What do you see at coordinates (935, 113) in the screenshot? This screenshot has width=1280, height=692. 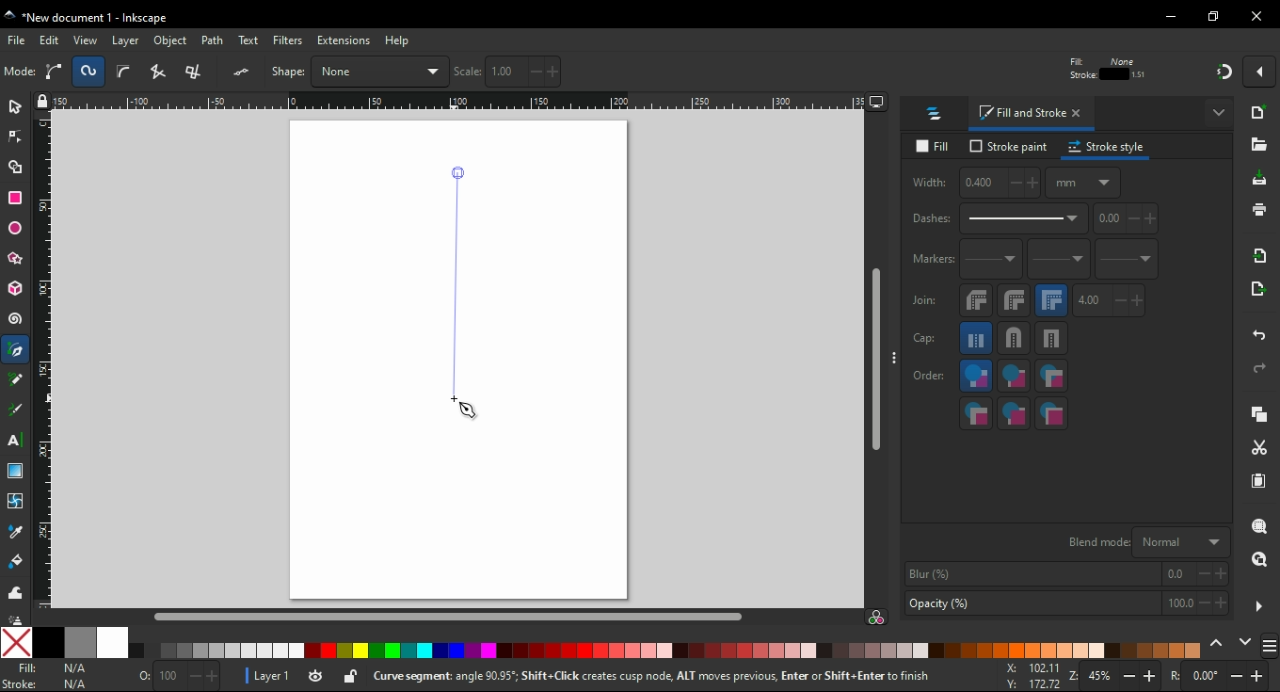 I see `layers and objects` at bounding box center [935, 113].